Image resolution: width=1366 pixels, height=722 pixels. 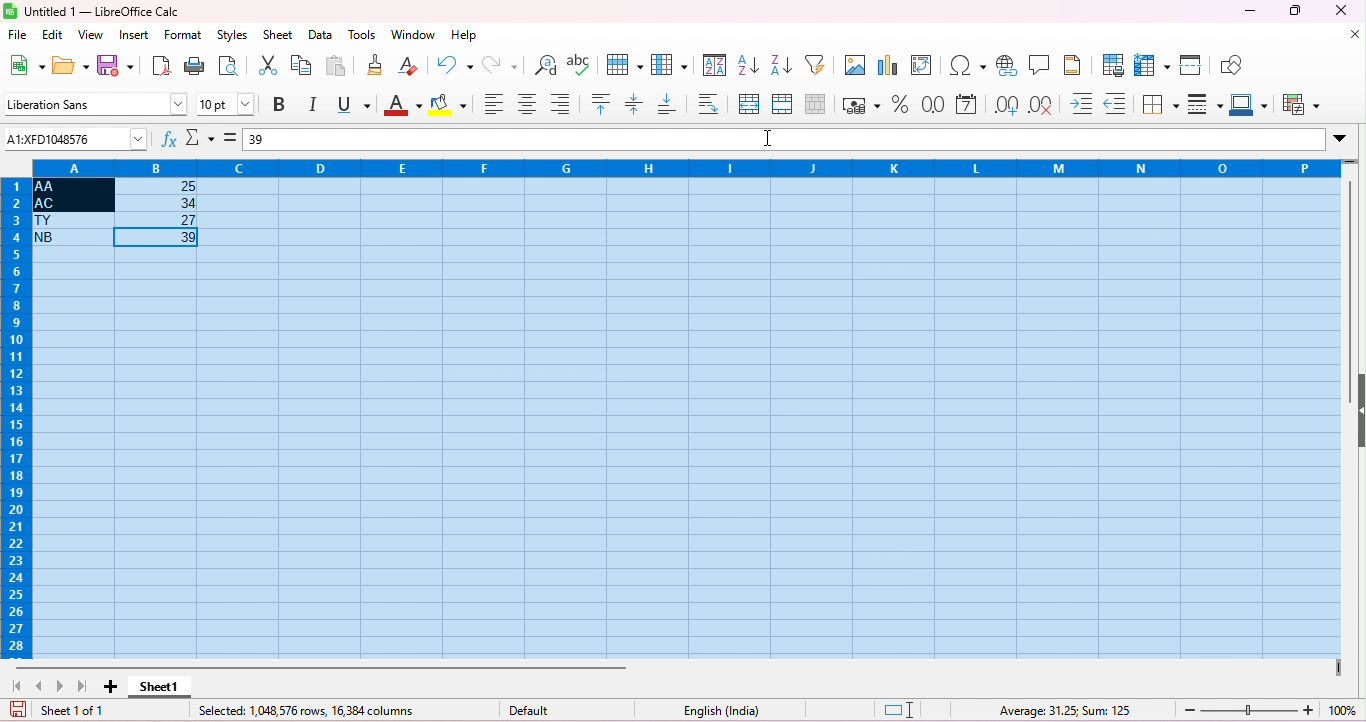 I want to click on bold, so click(x=282, y=104).